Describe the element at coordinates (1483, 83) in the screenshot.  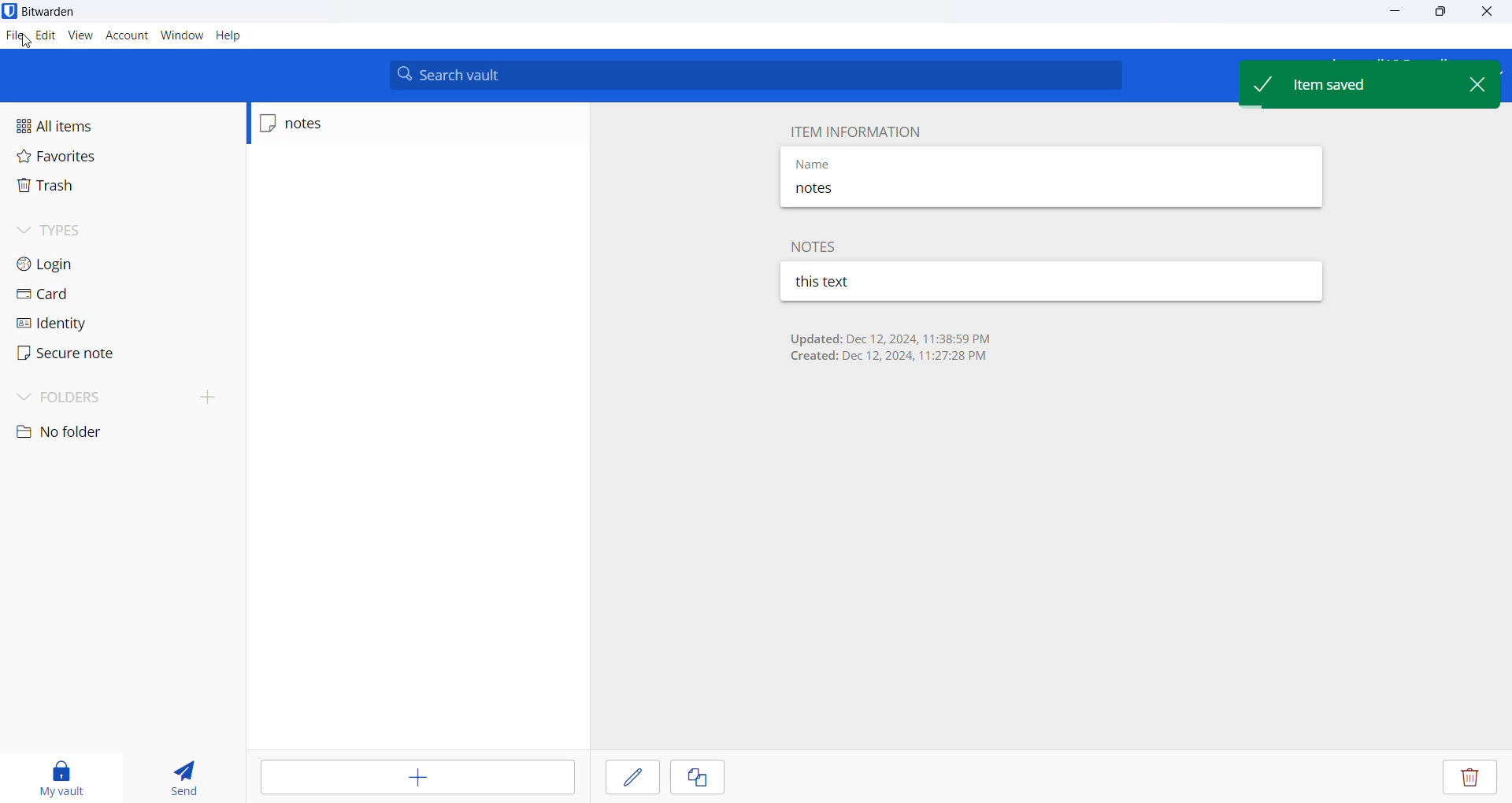
I see `close` at that location.